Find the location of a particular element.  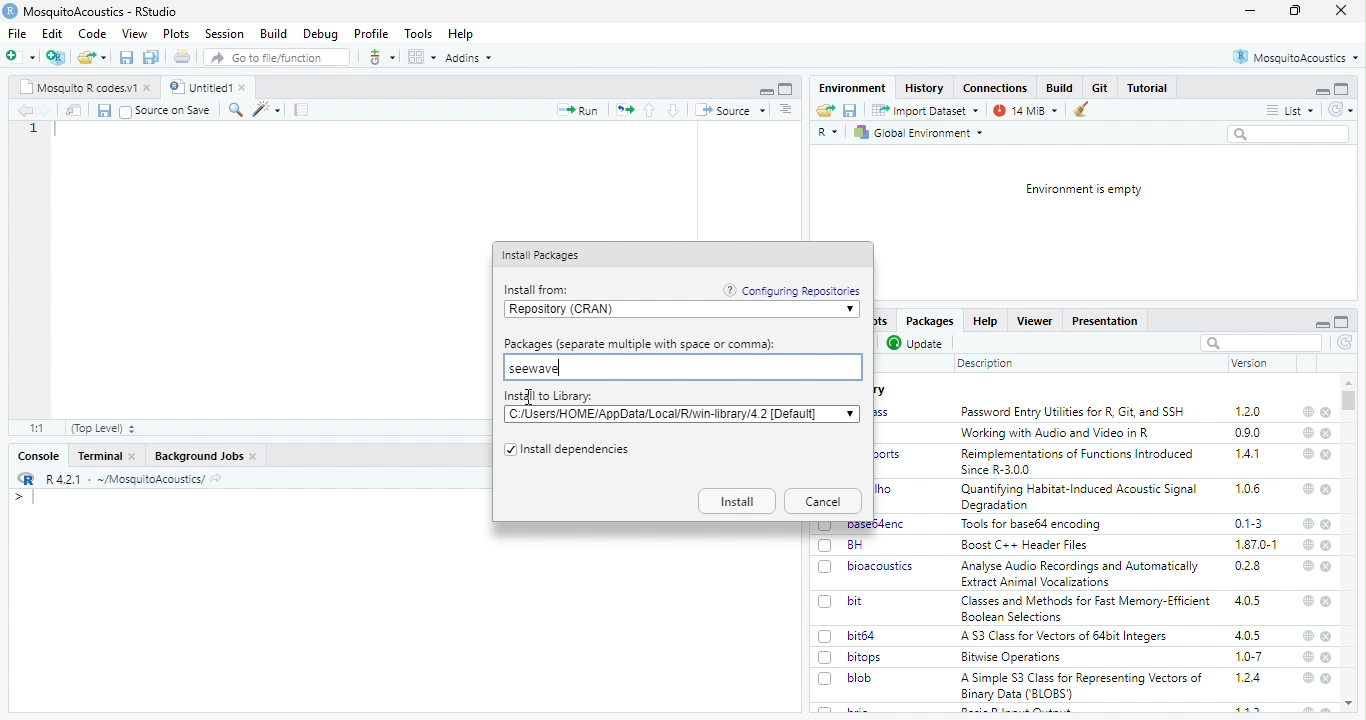

Cancel is located at coordinates (824, 501).